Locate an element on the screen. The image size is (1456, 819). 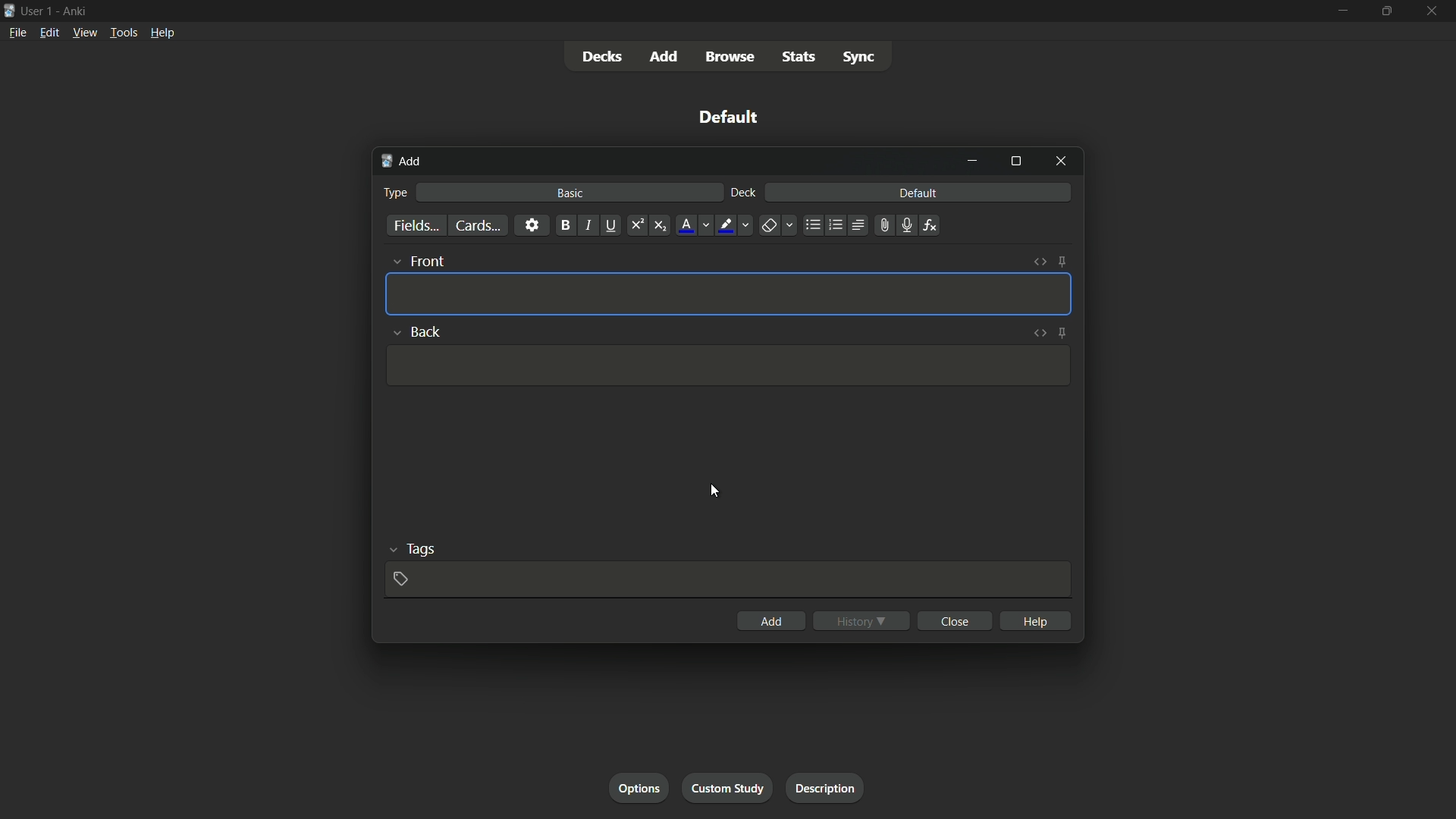
edit is located at coordinates (49, 33).